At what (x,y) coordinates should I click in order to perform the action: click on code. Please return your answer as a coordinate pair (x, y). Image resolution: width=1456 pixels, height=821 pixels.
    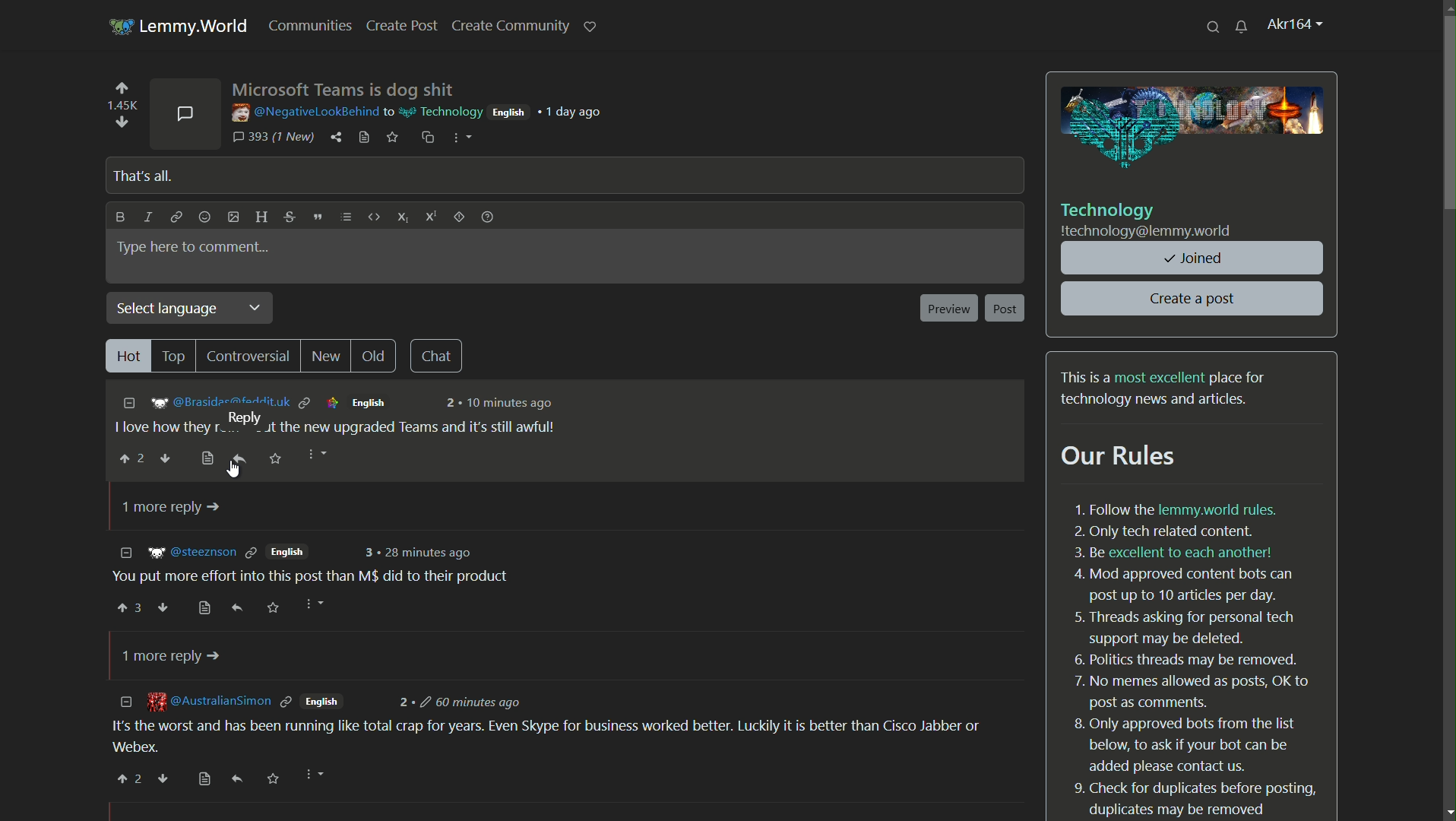
    Looking at the image, I should click on (372, 218).